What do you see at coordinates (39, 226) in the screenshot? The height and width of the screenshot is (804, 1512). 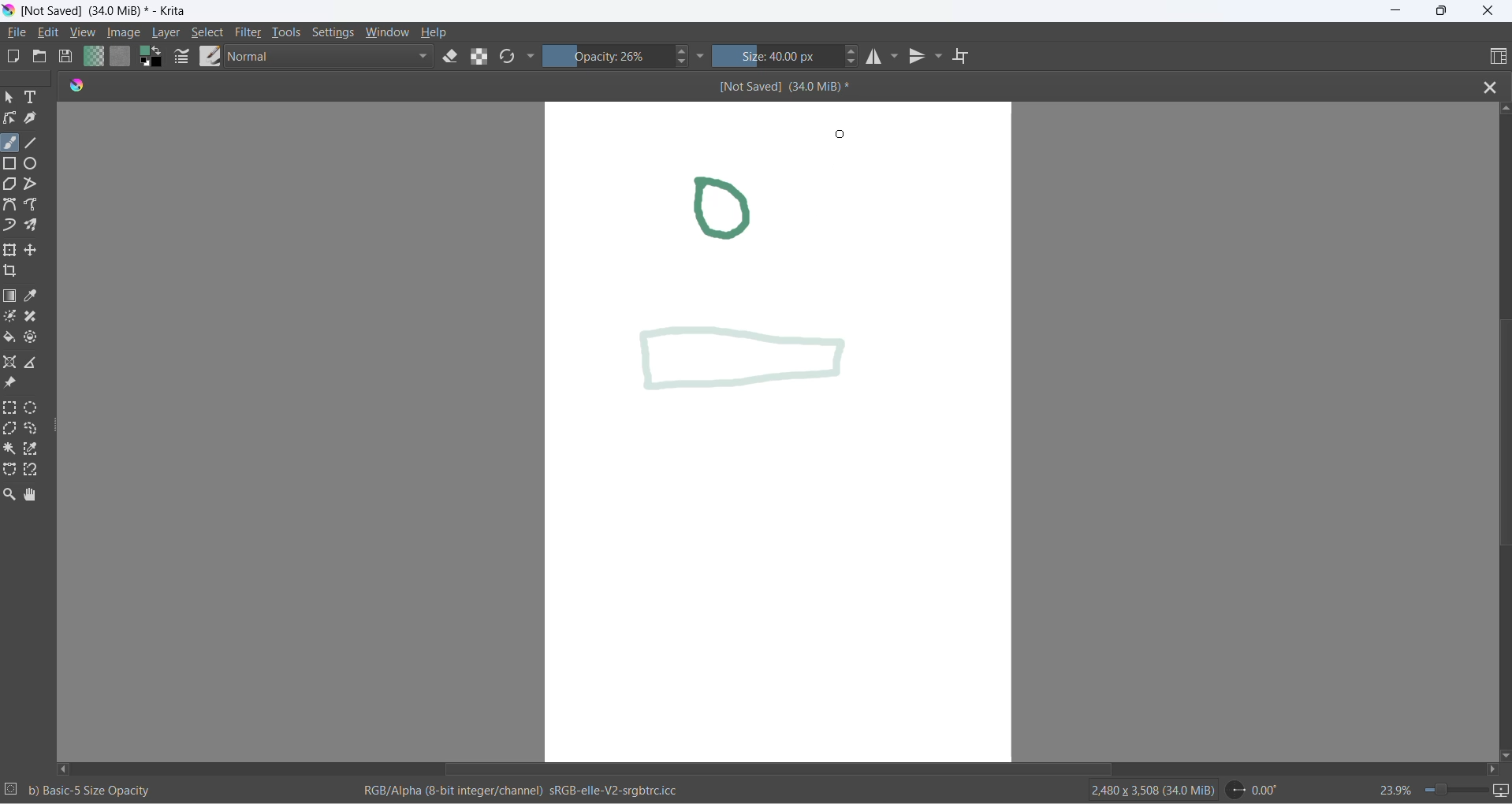 I see `multibrush tool` at bounding box center [39, 226].